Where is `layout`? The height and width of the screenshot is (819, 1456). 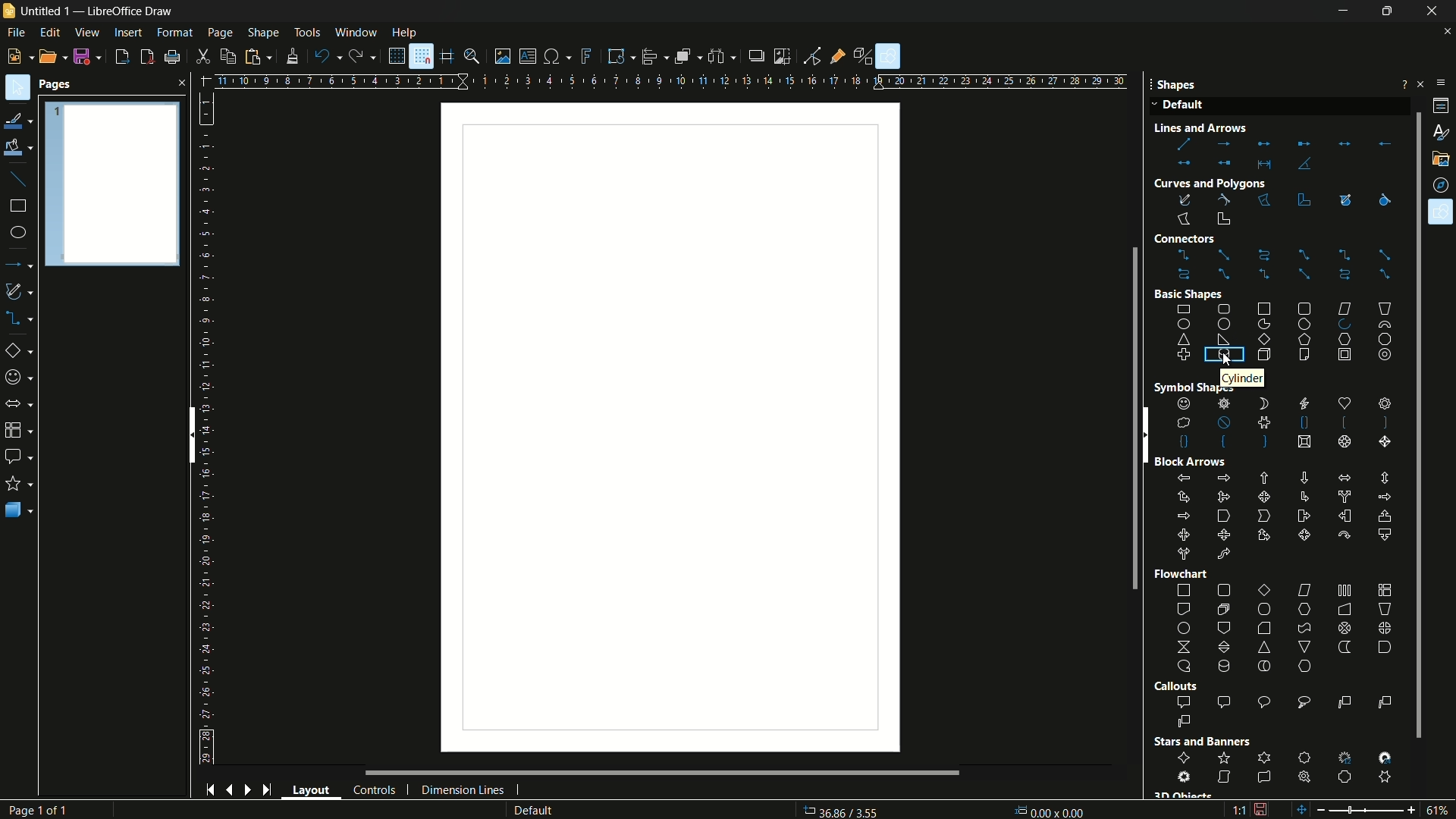
layout is located at coordinates (312, 789).